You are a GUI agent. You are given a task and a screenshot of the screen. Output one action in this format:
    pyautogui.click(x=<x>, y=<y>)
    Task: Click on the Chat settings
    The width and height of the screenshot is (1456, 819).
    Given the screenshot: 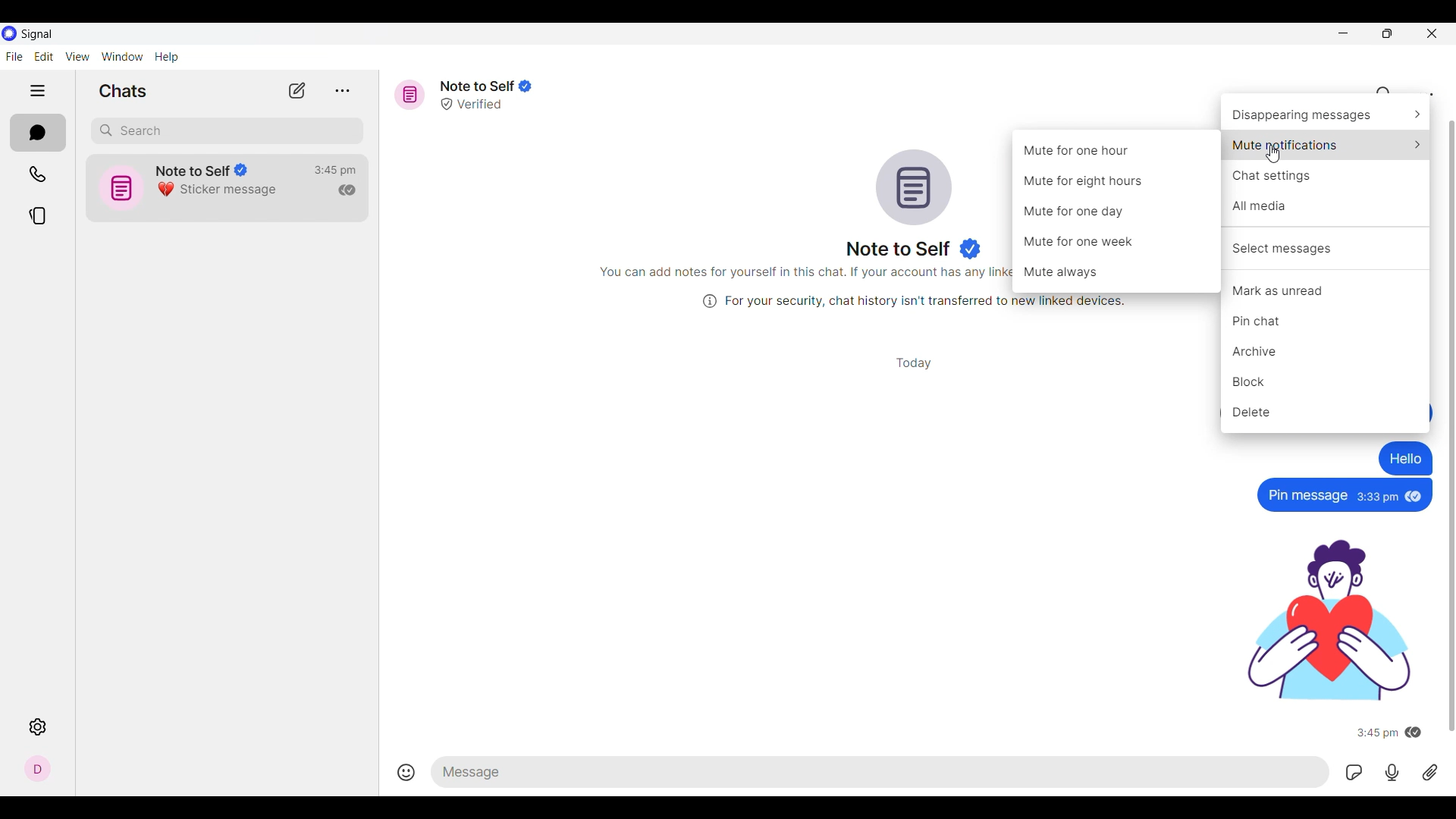 What is the action you would take?
    pyautogui.click(x=1326, y=177)
    